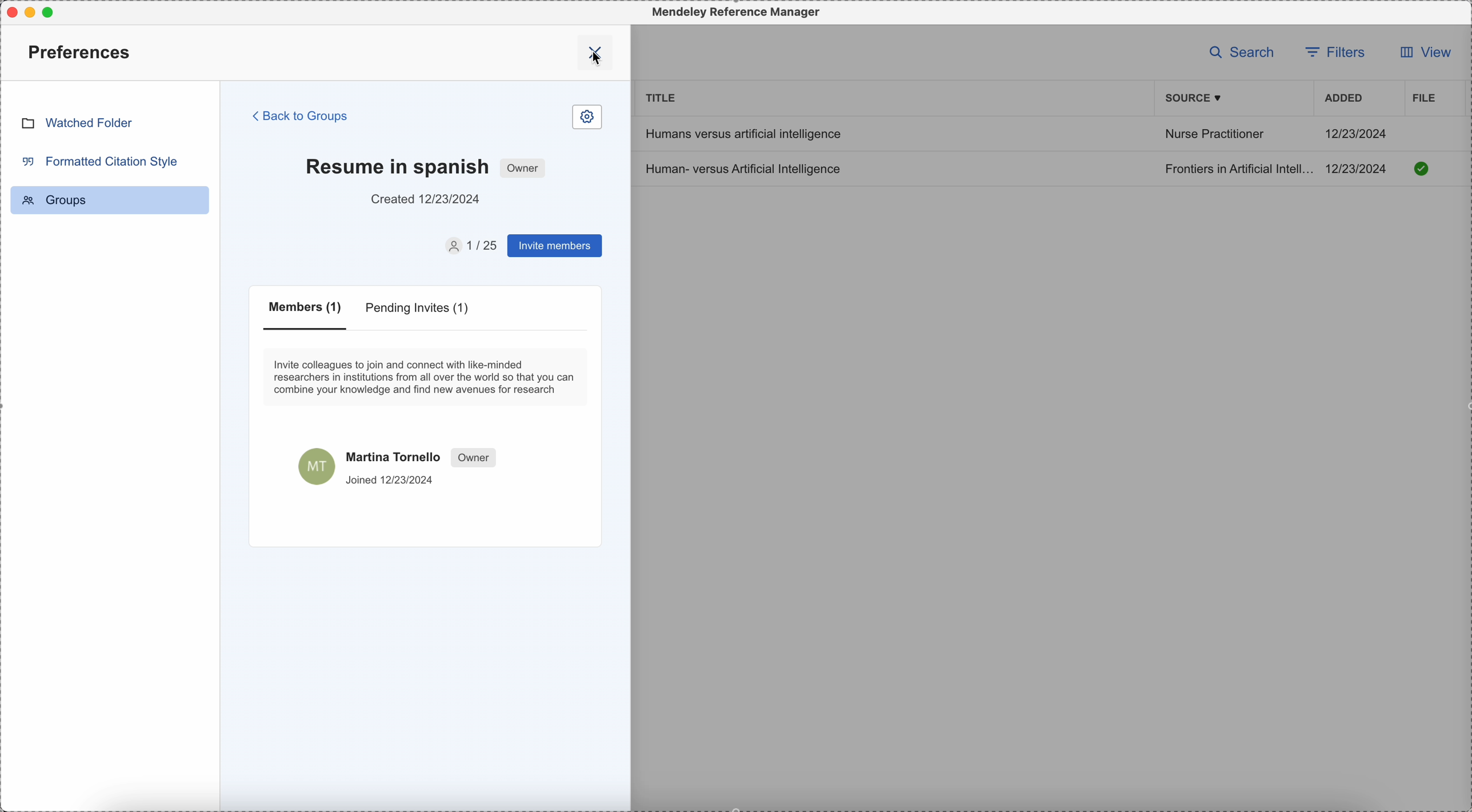 This screenshot has height=812, width=1472. I want to click on title, so click(662, 97).